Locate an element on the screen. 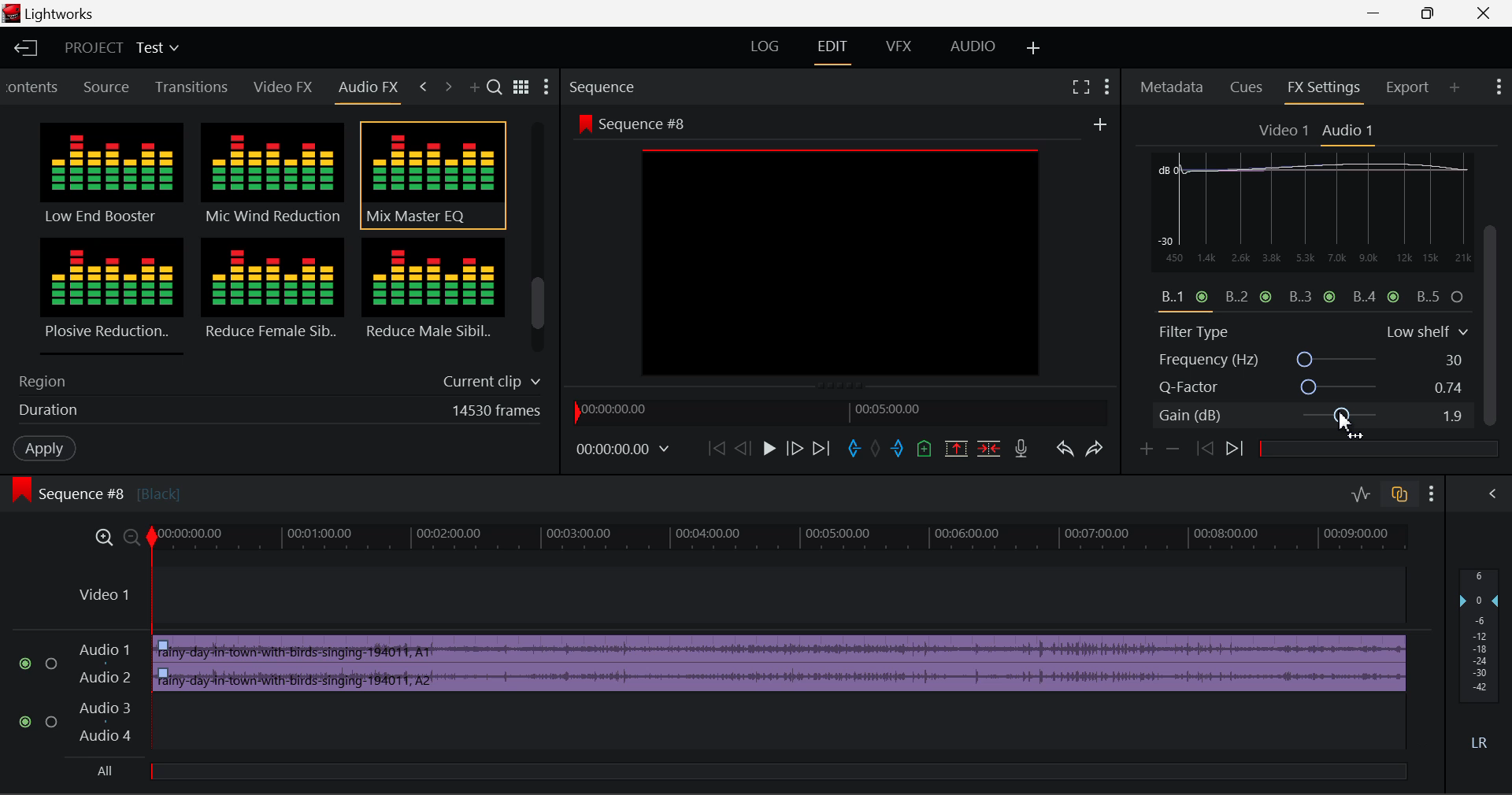 This screenshot has width=1512, height=795. AUDIO Layout is located at coordinates (972, 48).